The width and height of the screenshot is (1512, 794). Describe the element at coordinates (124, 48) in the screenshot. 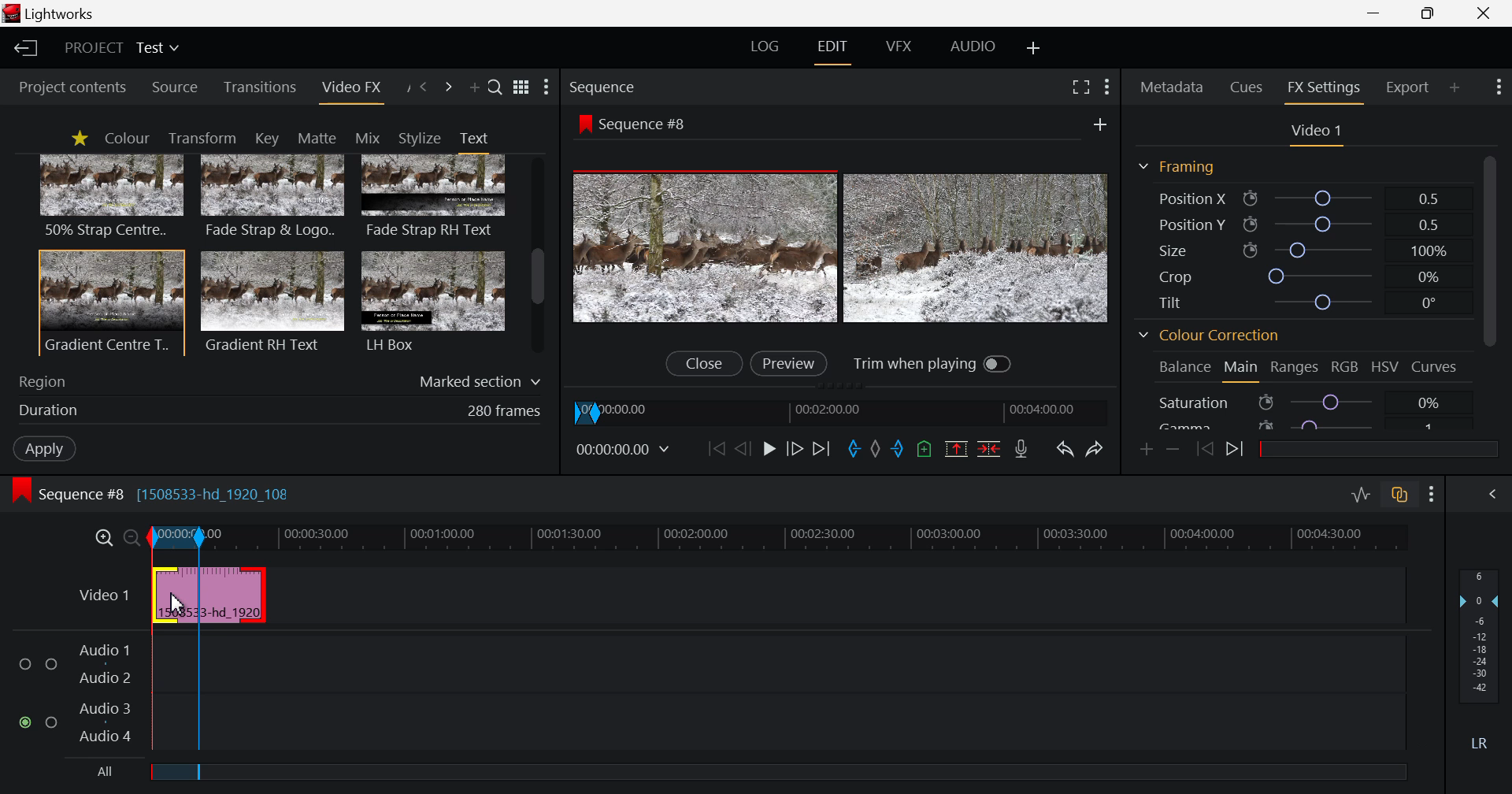

I see `Project title` at that location.